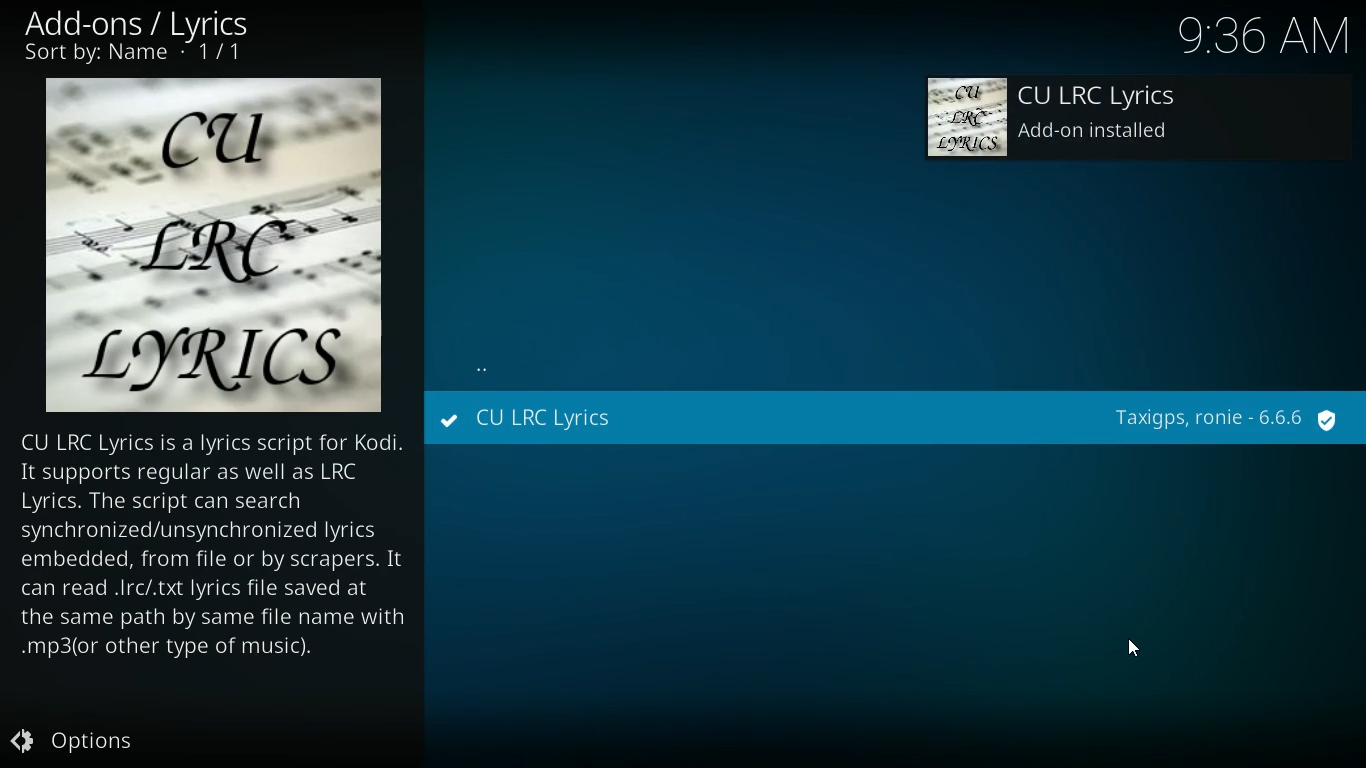 Image resolution: width=1366 pixels, height=768 pixels. I want to click on Cursor, so click(1134, 648).